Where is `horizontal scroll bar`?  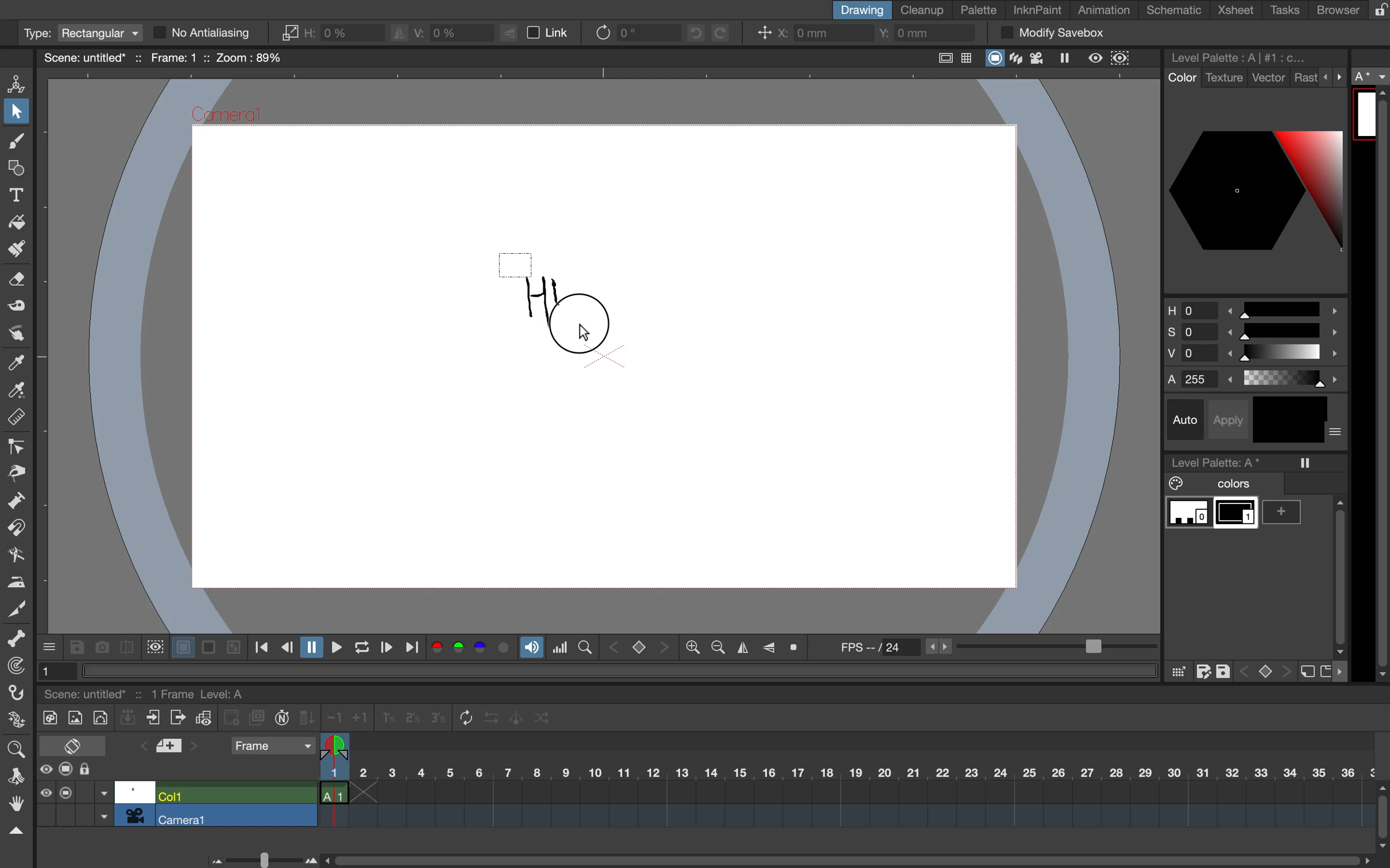
horizontal scroll bar is located at coordinates (842, 855).